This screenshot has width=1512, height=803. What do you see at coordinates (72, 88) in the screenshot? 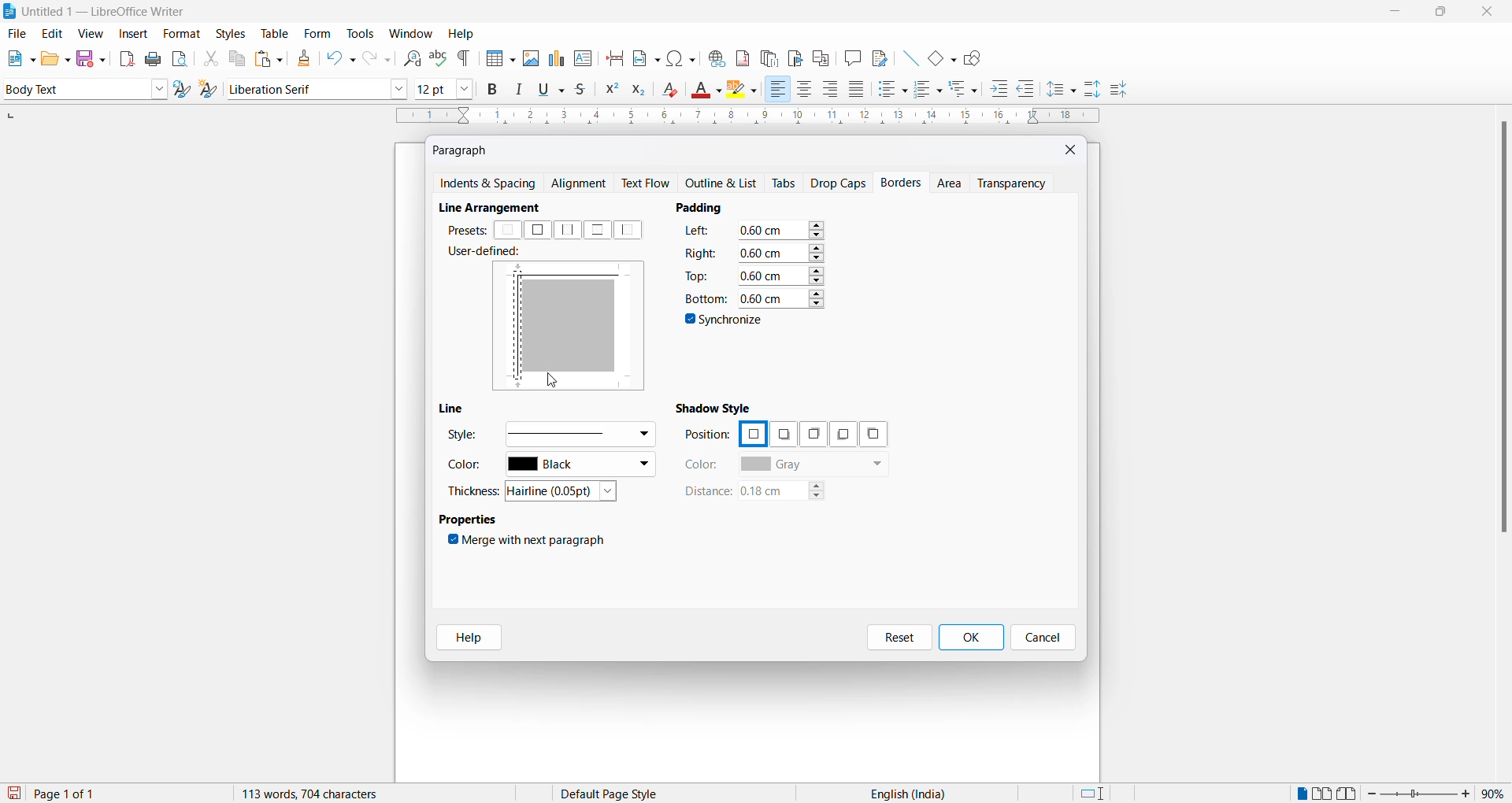
I see `style` at bounding box center [72, 88].